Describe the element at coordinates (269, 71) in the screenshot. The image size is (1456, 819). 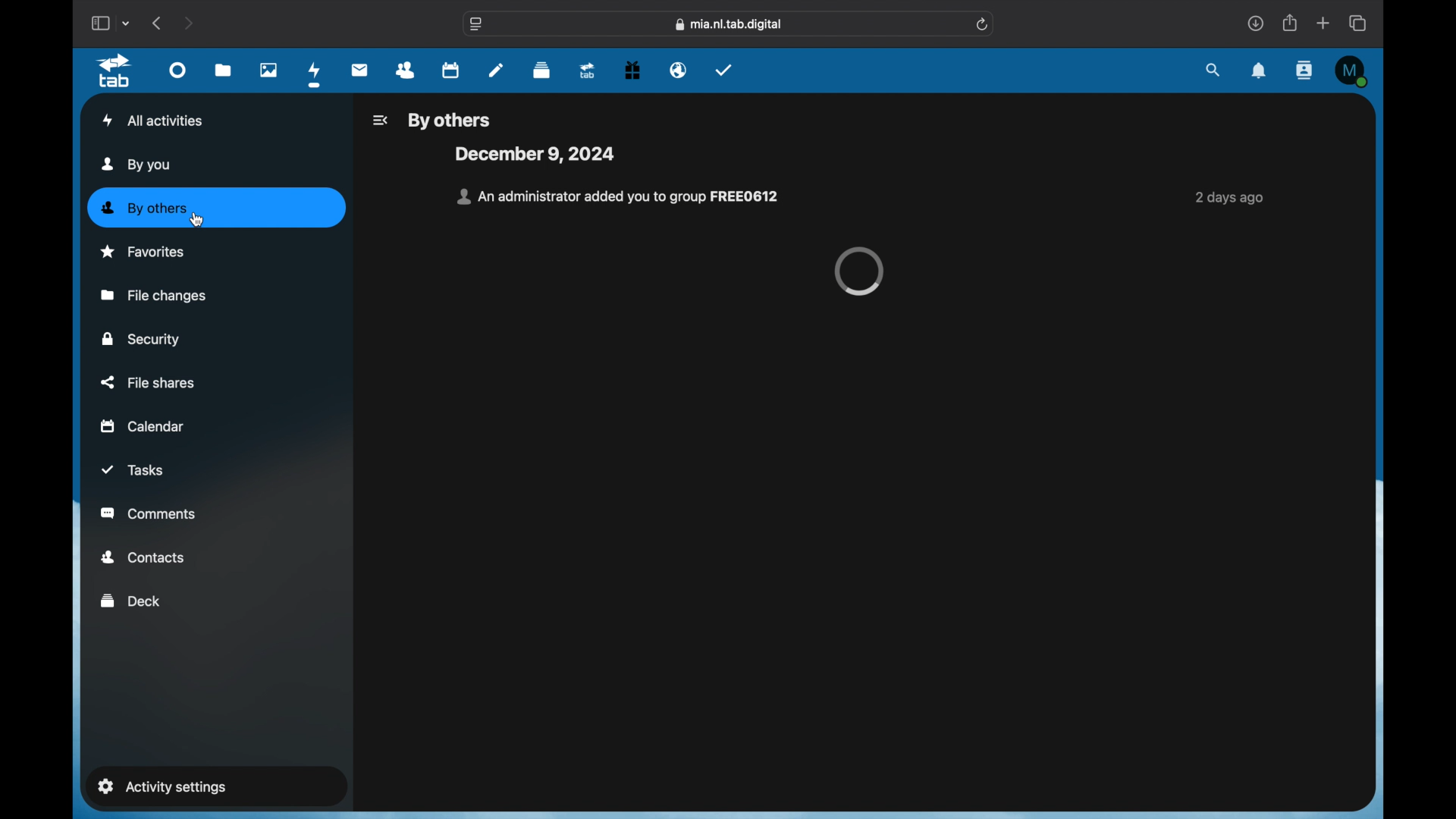
I see `photos` at that location.